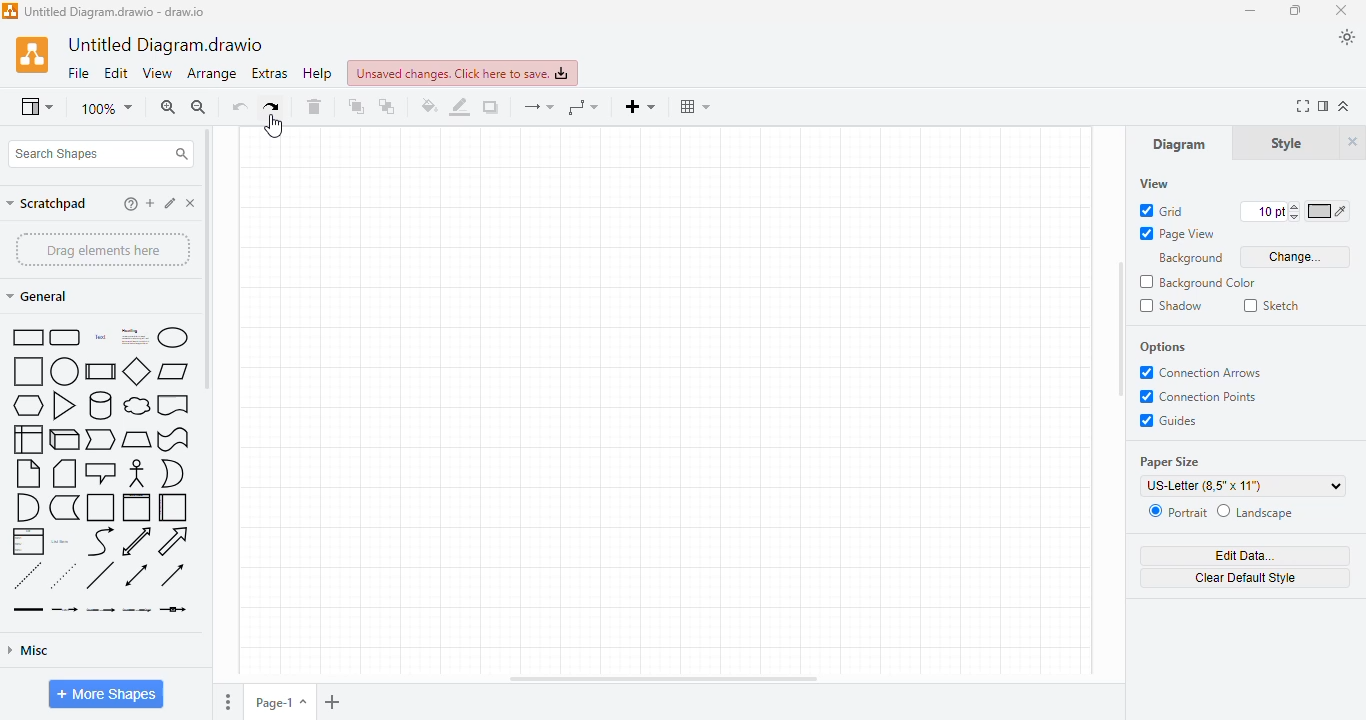 The image size is (1366, 720). What do you see at coordinates (1200, 397) in the screenshot?
I see `connection points` at bounding box center [1200, 397].